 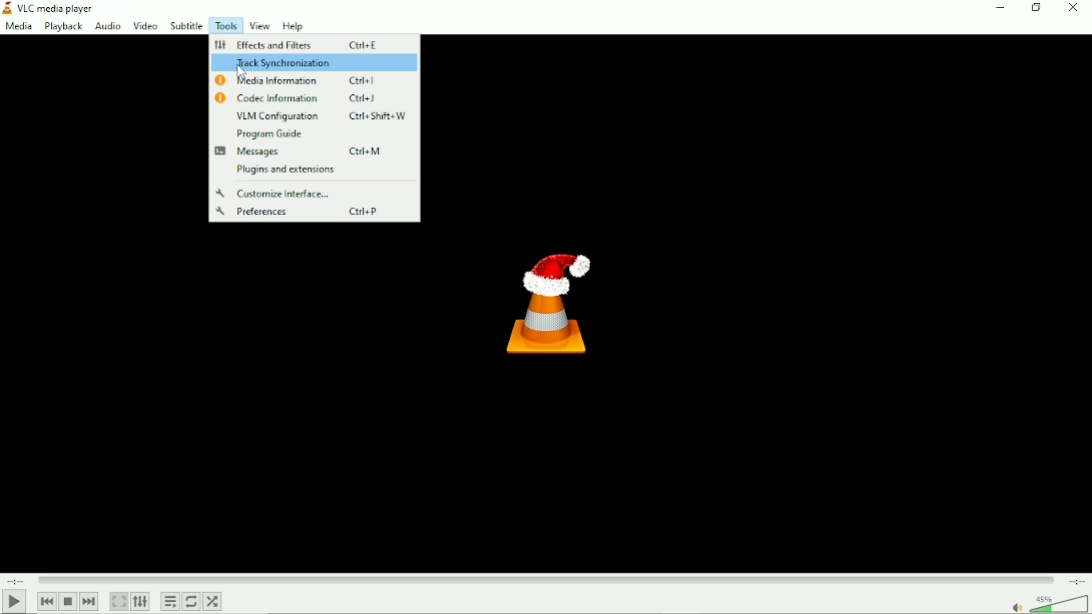 What do you see at coordinates (259, 25) in the screenshot?
I see `View` at bounding box center [259, 25].